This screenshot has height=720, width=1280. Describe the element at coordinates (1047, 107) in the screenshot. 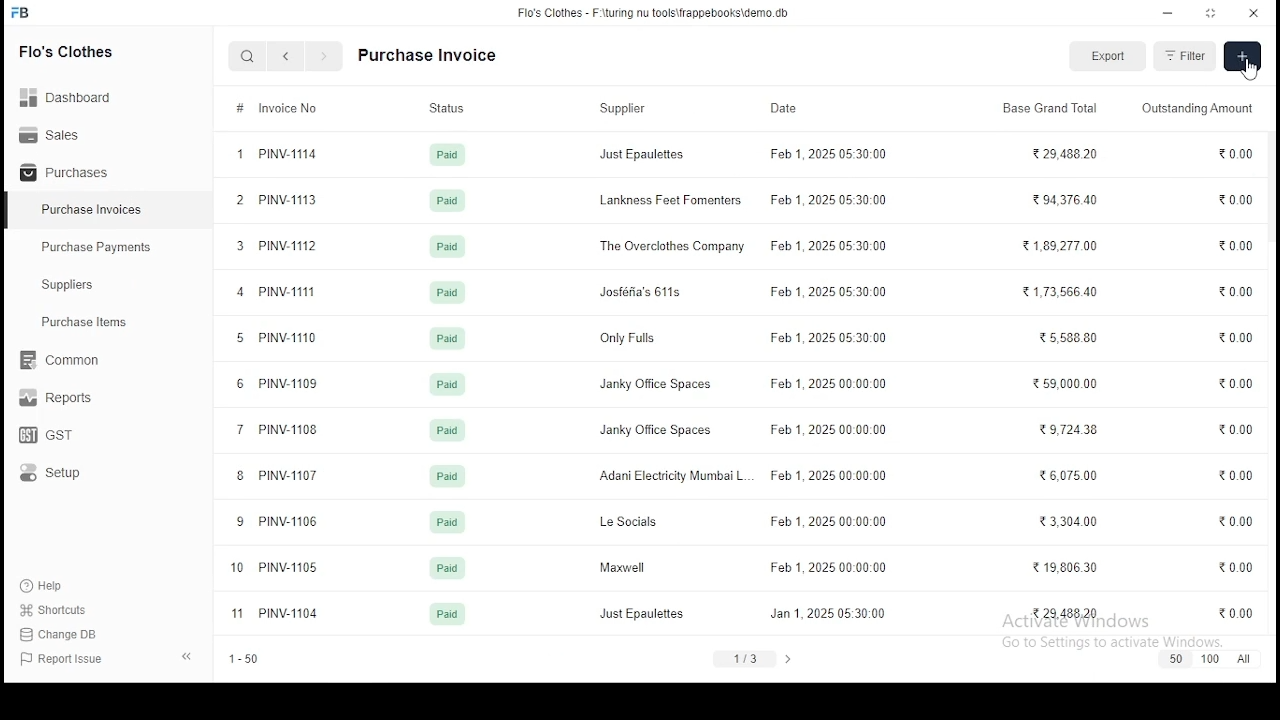

I see `Base Grand Total` at that location.